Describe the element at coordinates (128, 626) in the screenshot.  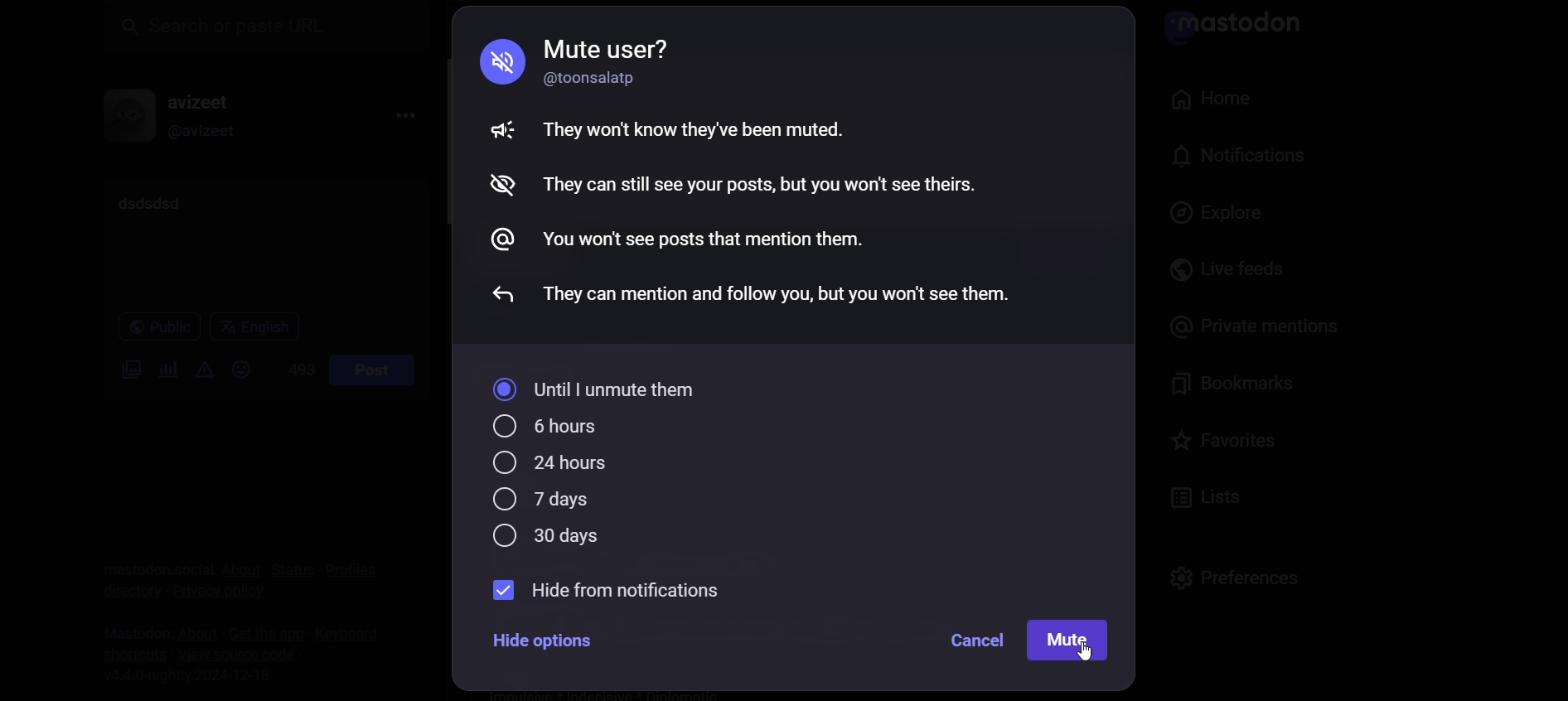
I see `text` at that location.